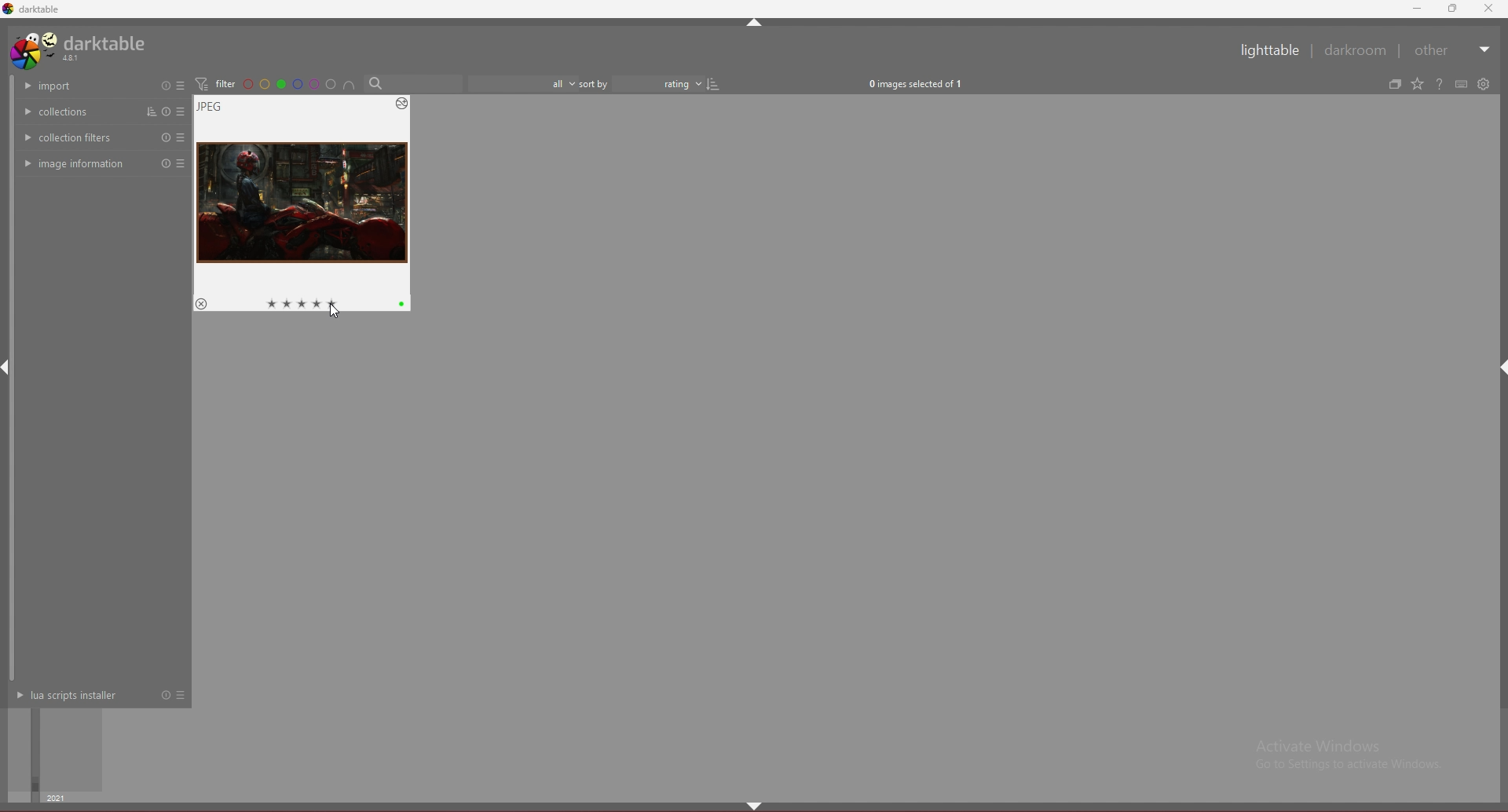  Describe the element at coordinates (1507, 367) in the screenshot. I see `hide` at that location.